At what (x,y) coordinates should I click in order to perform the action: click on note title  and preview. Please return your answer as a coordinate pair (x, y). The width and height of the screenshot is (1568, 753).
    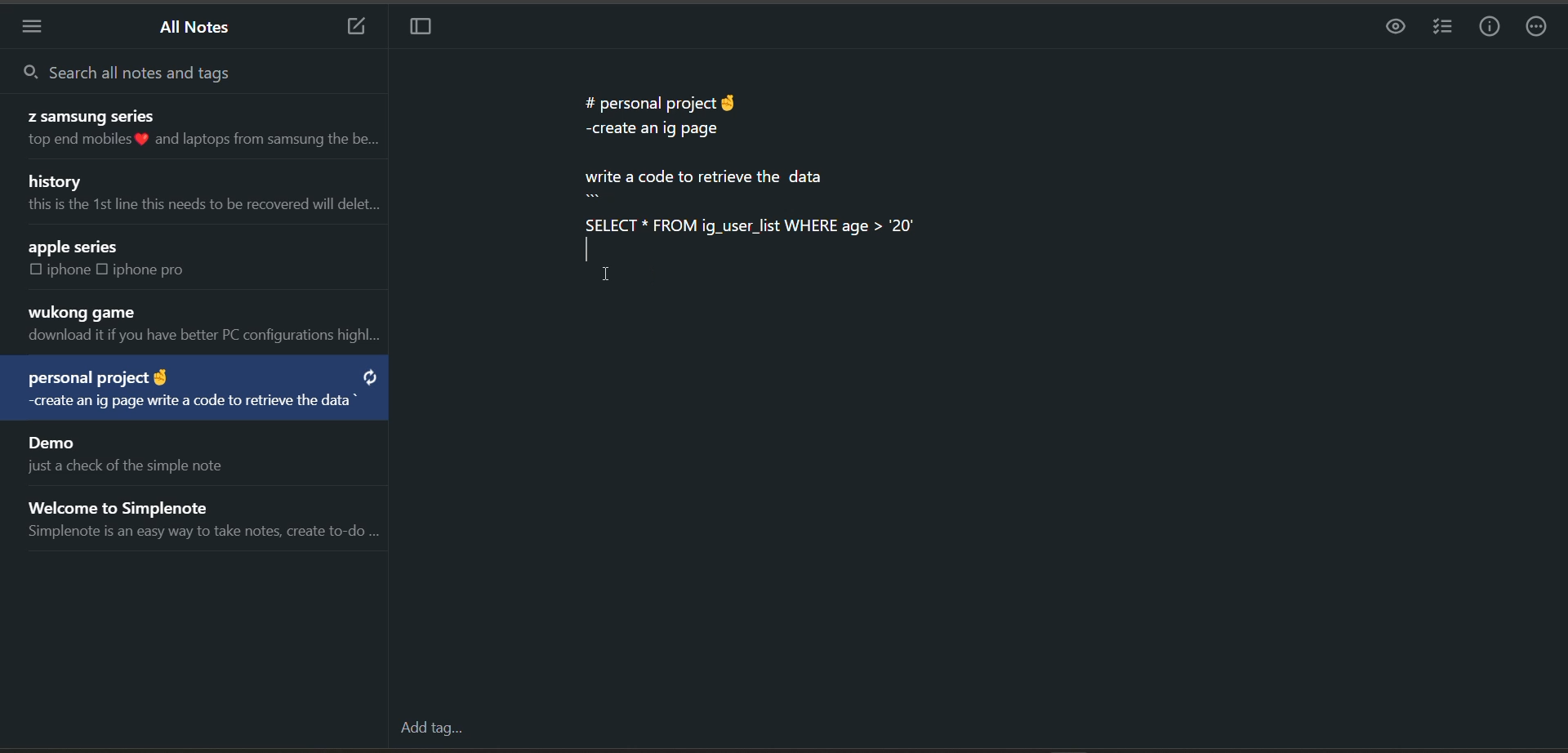
    Looking at the image, I should click on (194, 390).